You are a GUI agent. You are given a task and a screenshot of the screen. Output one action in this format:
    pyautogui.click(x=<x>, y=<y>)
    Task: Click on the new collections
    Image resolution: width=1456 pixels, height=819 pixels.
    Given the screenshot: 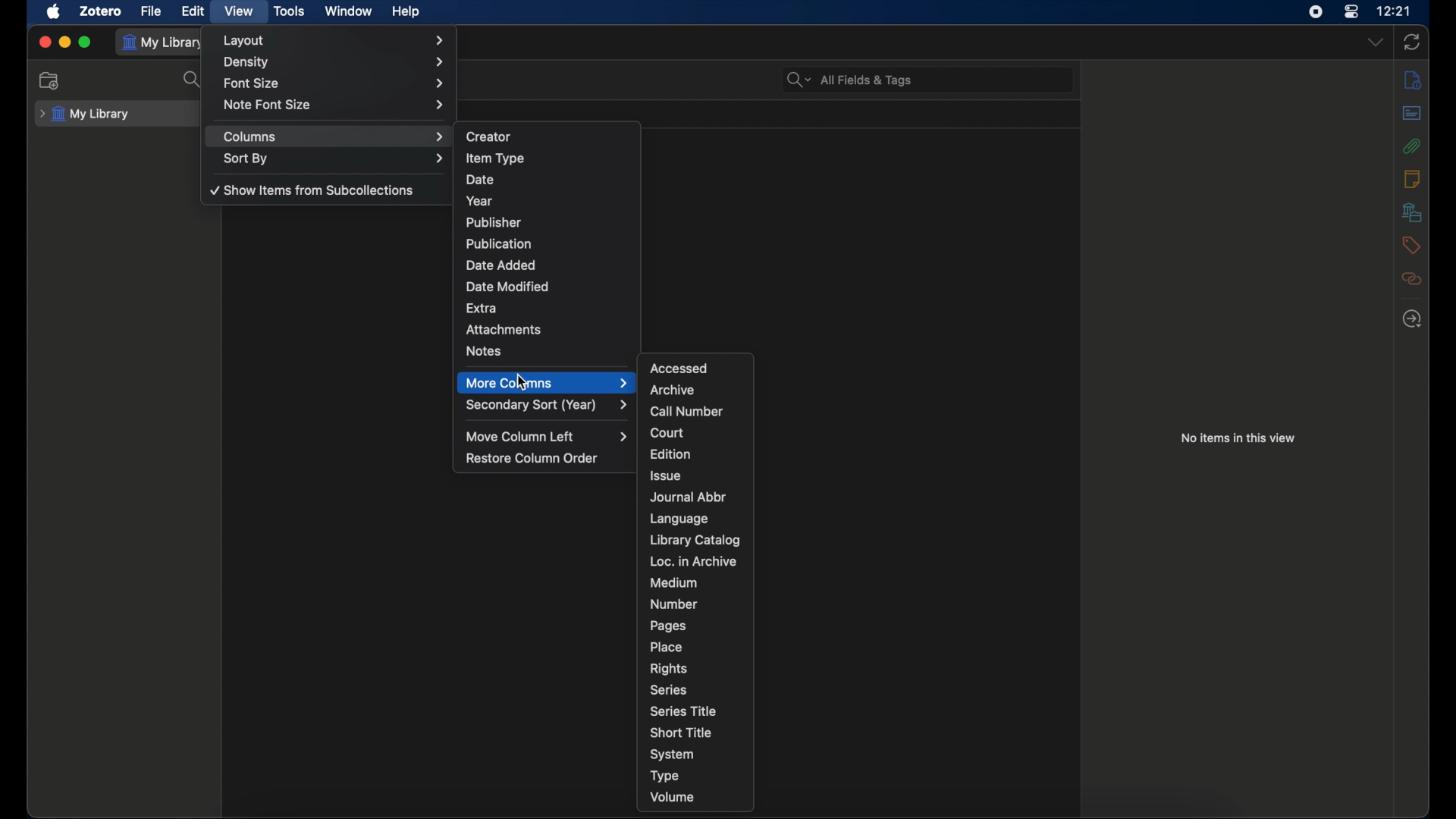 What is the action you would take?
    pyautogui.click(x=49, y=81)
    